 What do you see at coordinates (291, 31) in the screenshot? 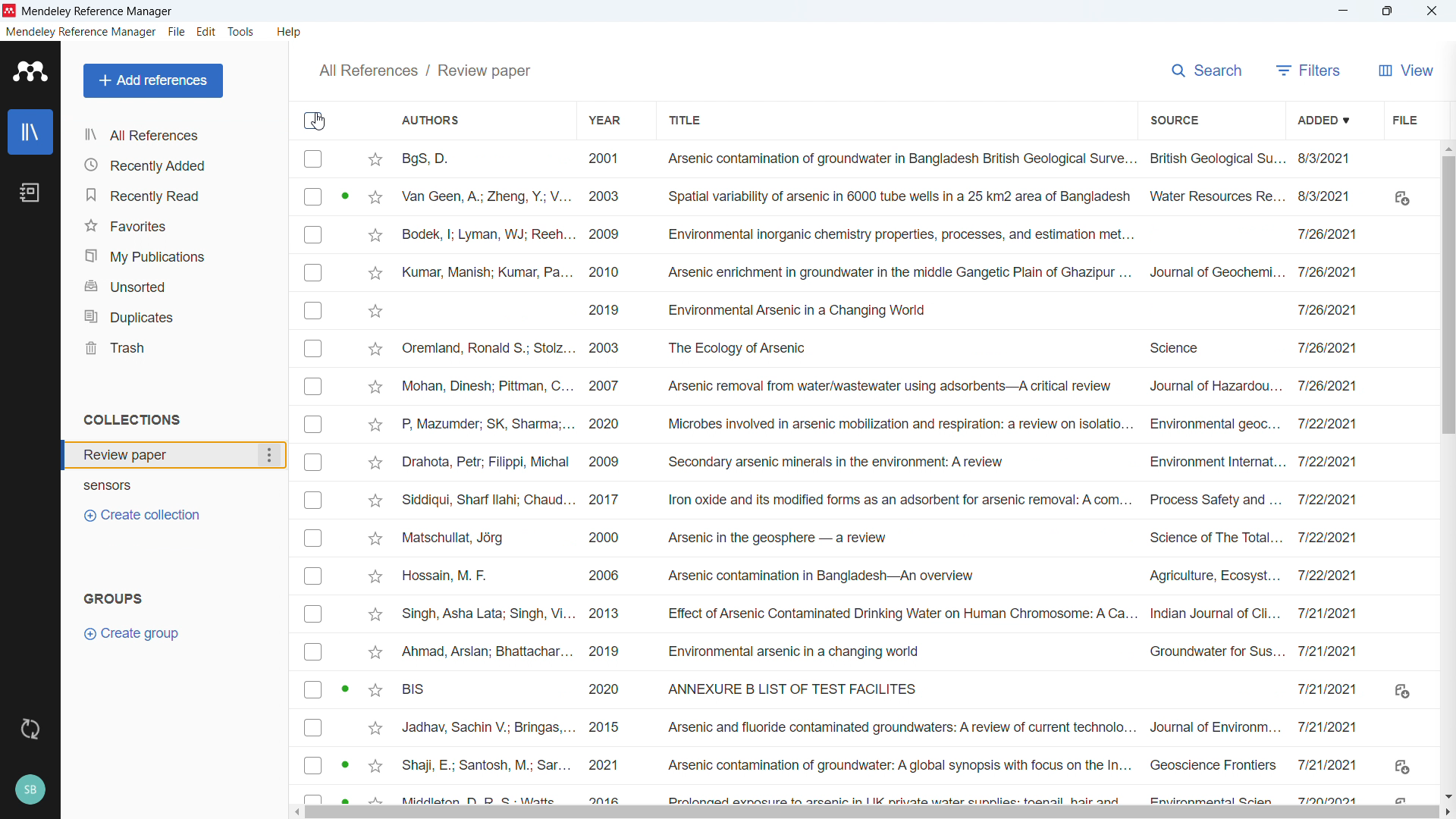
I see `help` at bounding box center [291, 31].